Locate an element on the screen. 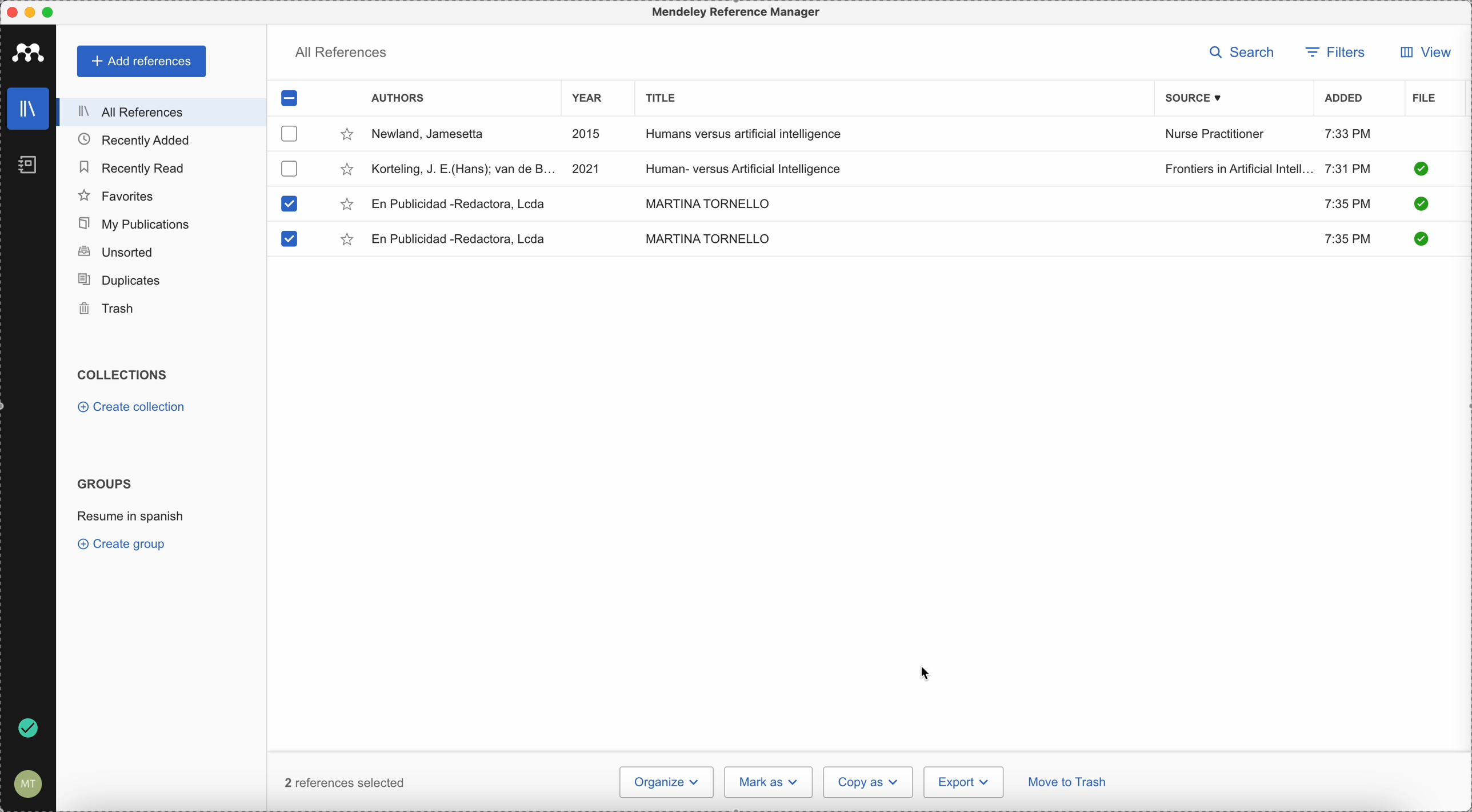  trash is located at coordinates (109, 309).